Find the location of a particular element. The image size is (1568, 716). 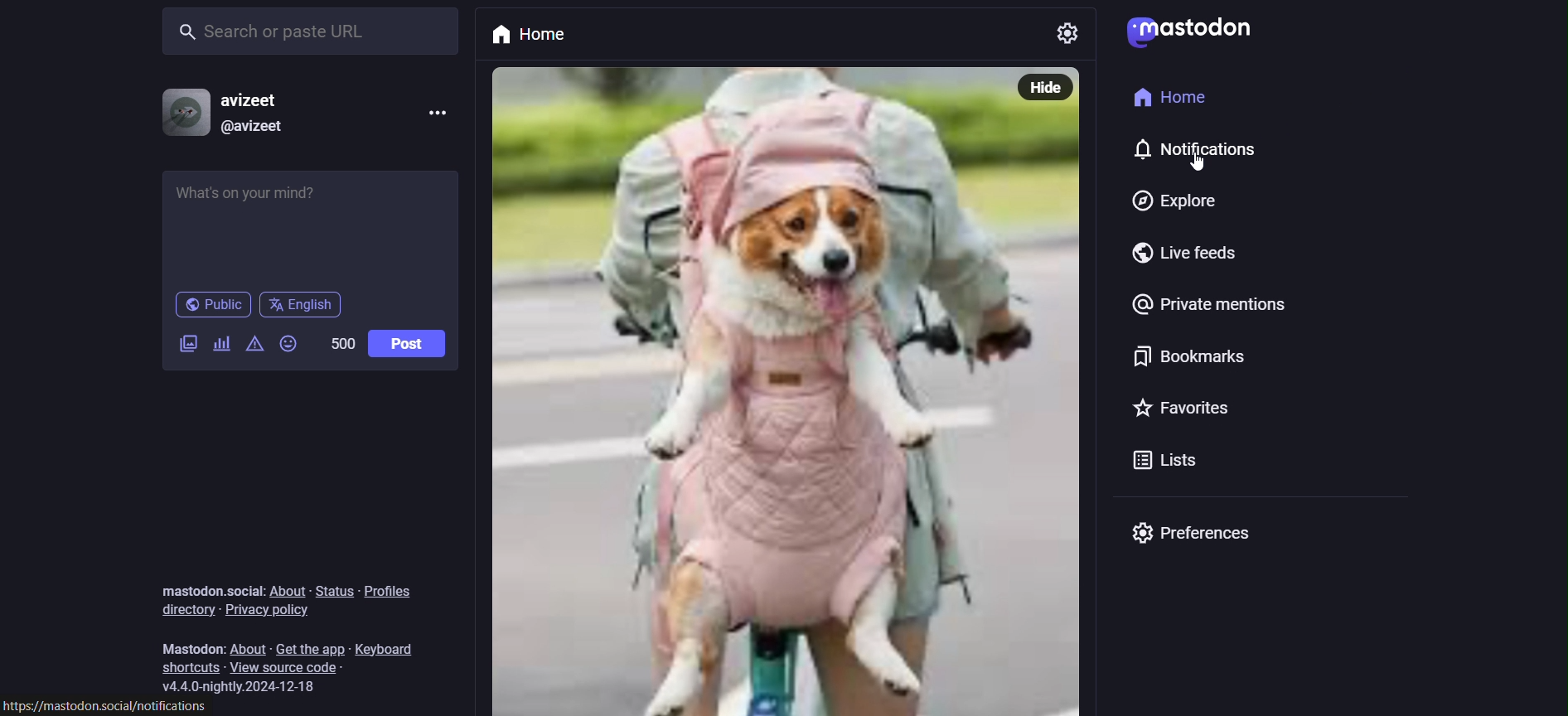

keyboard is located at coordinates (394, 645).